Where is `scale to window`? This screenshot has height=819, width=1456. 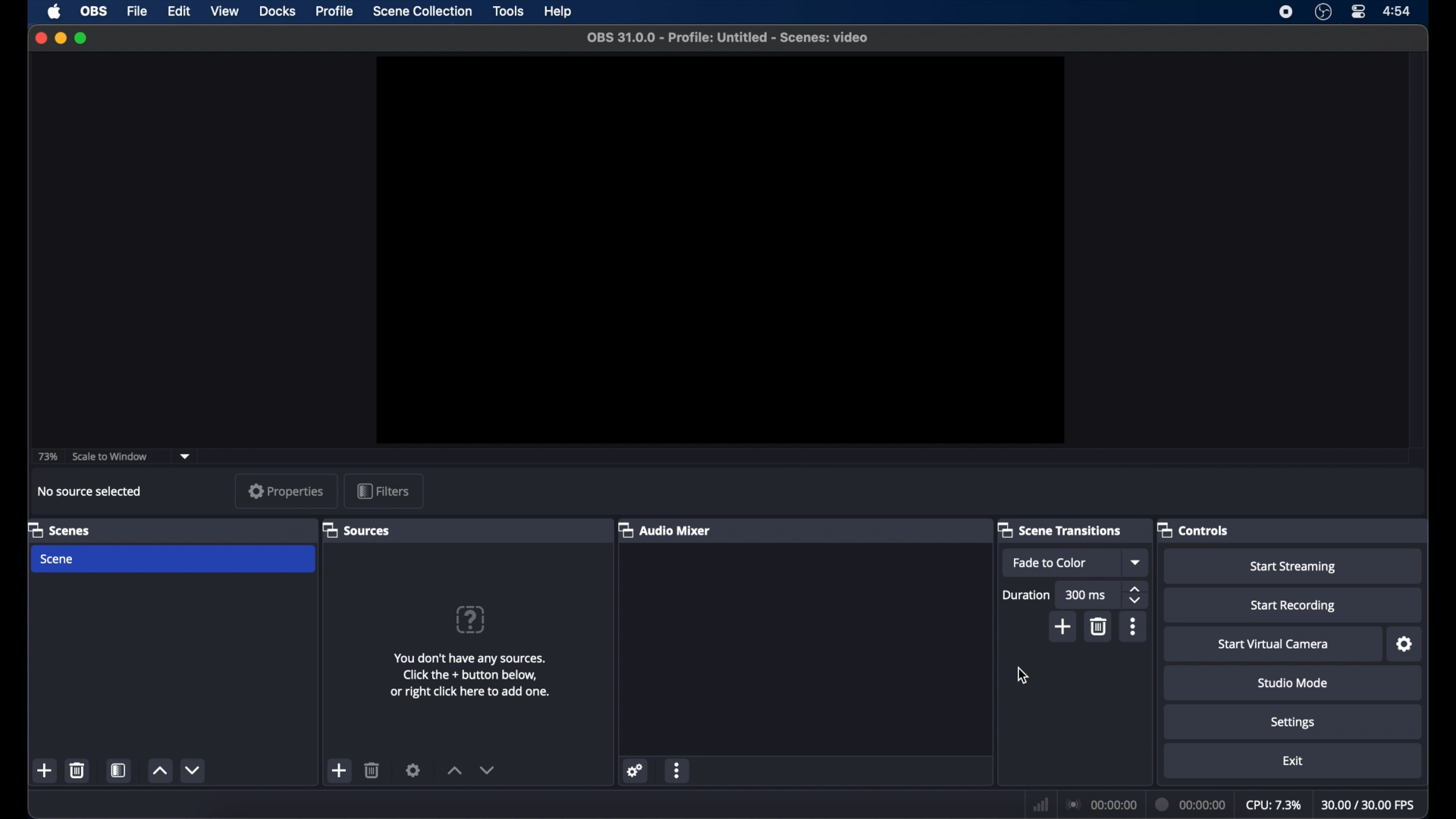 scale to window is located at coordinates (111, 457).